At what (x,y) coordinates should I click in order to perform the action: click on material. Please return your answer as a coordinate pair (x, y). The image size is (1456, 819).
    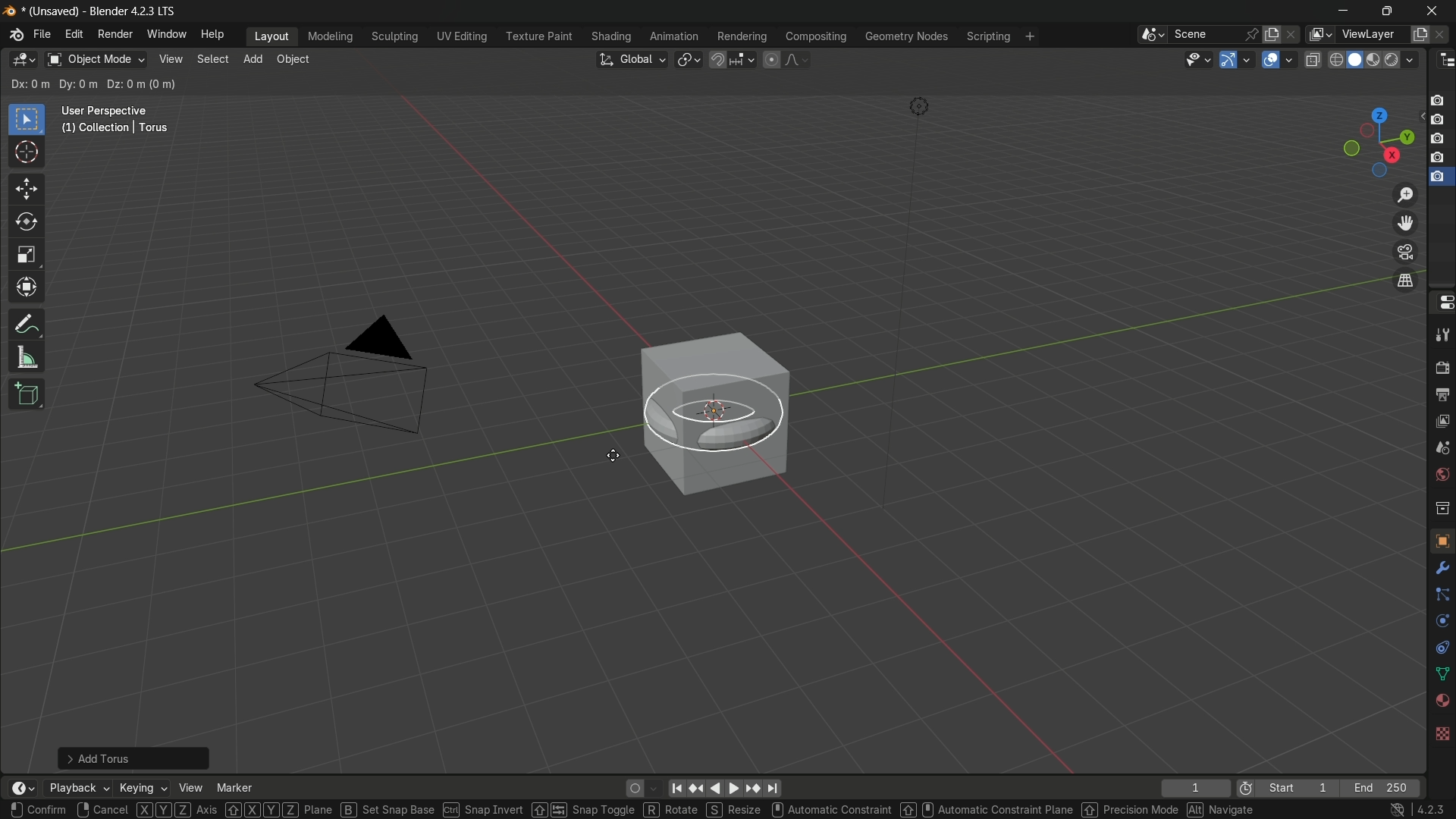
    Looking at the image, I should click on (1442, 699).